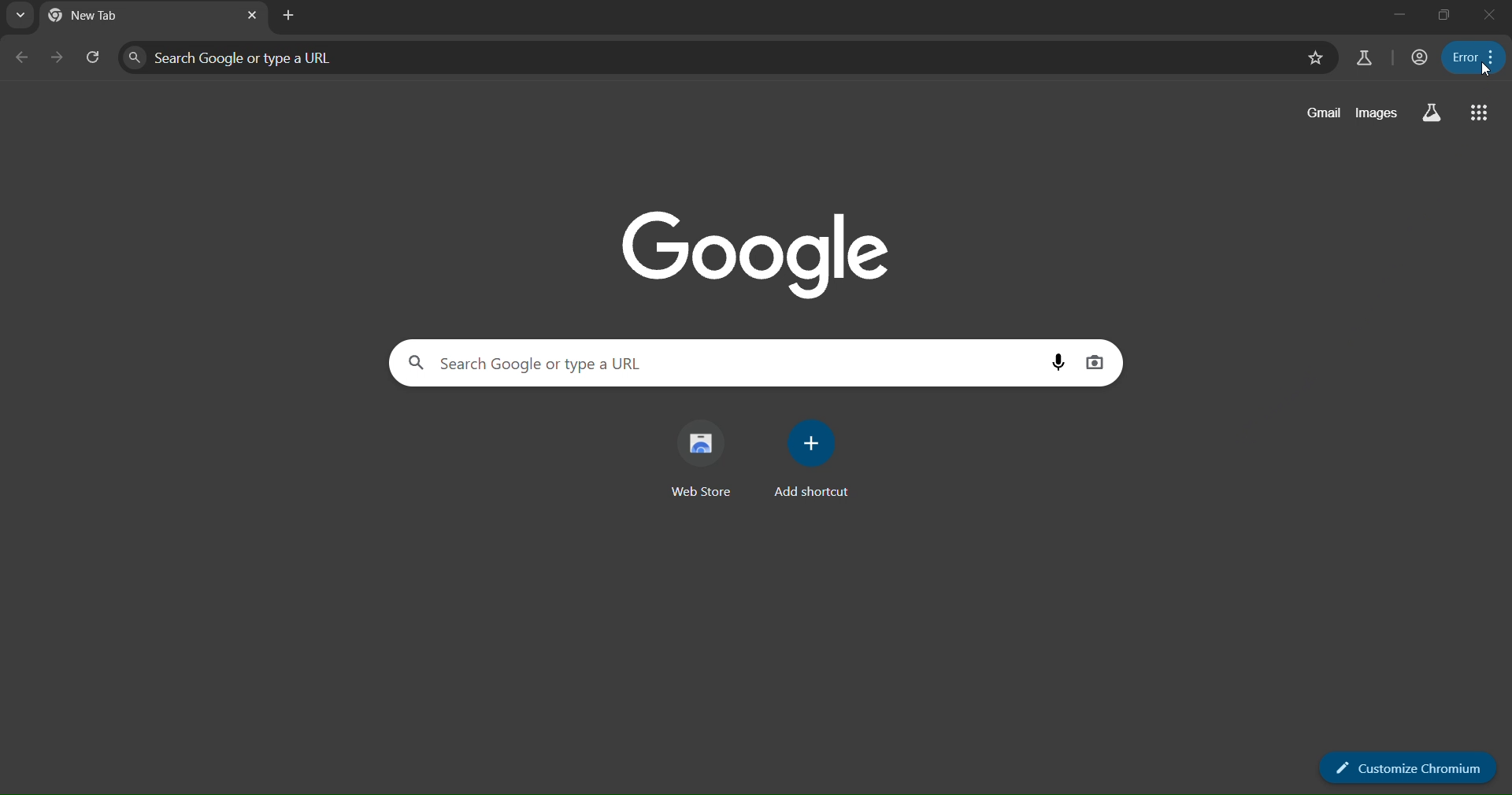  What do you see at coordinates (1489, 16) in the screenshot?
I see `close` at bounding box center [1489, 16].